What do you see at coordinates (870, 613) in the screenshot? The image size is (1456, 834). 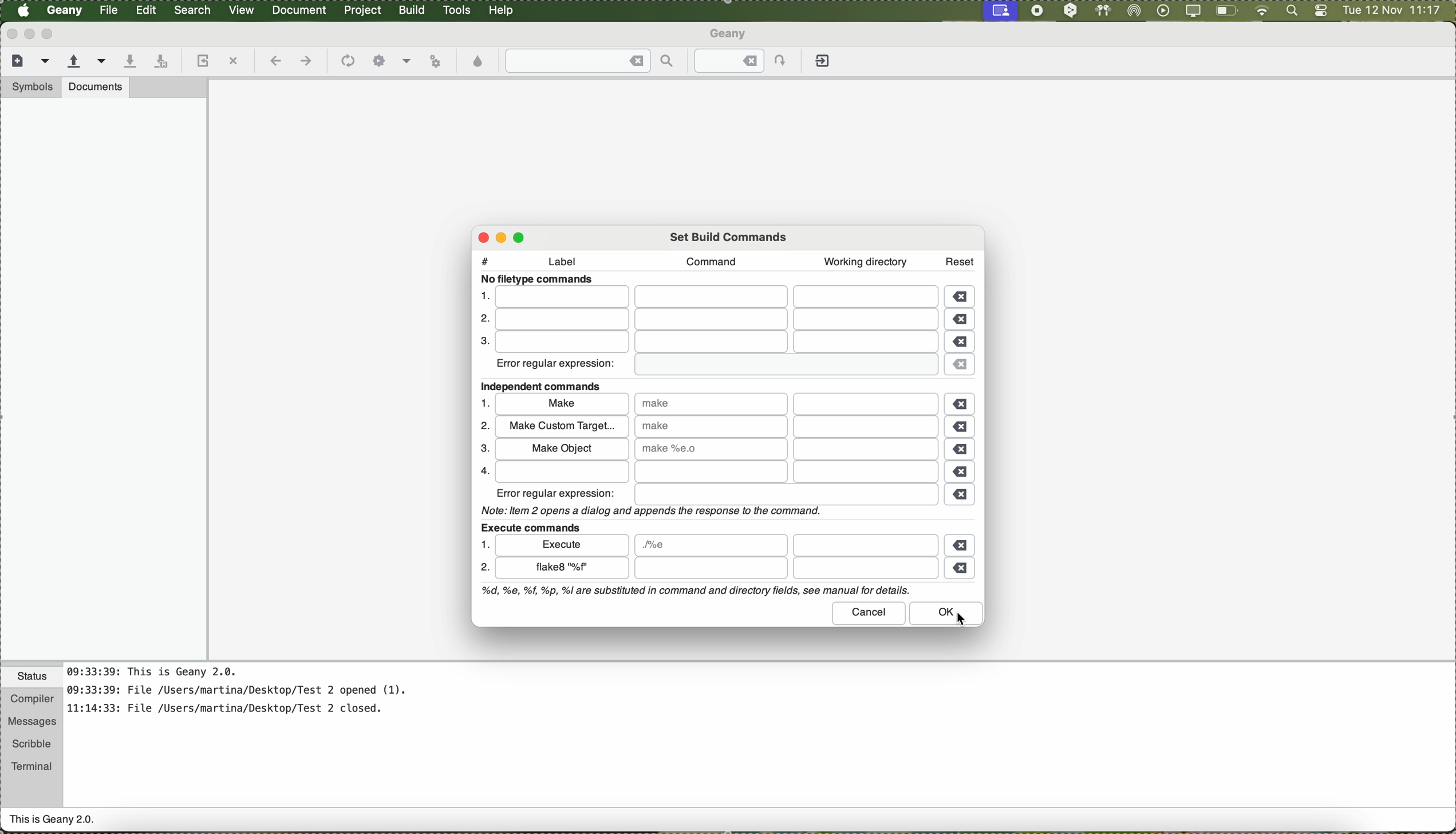 I see `cancel button` at bounding box center [870, 613].